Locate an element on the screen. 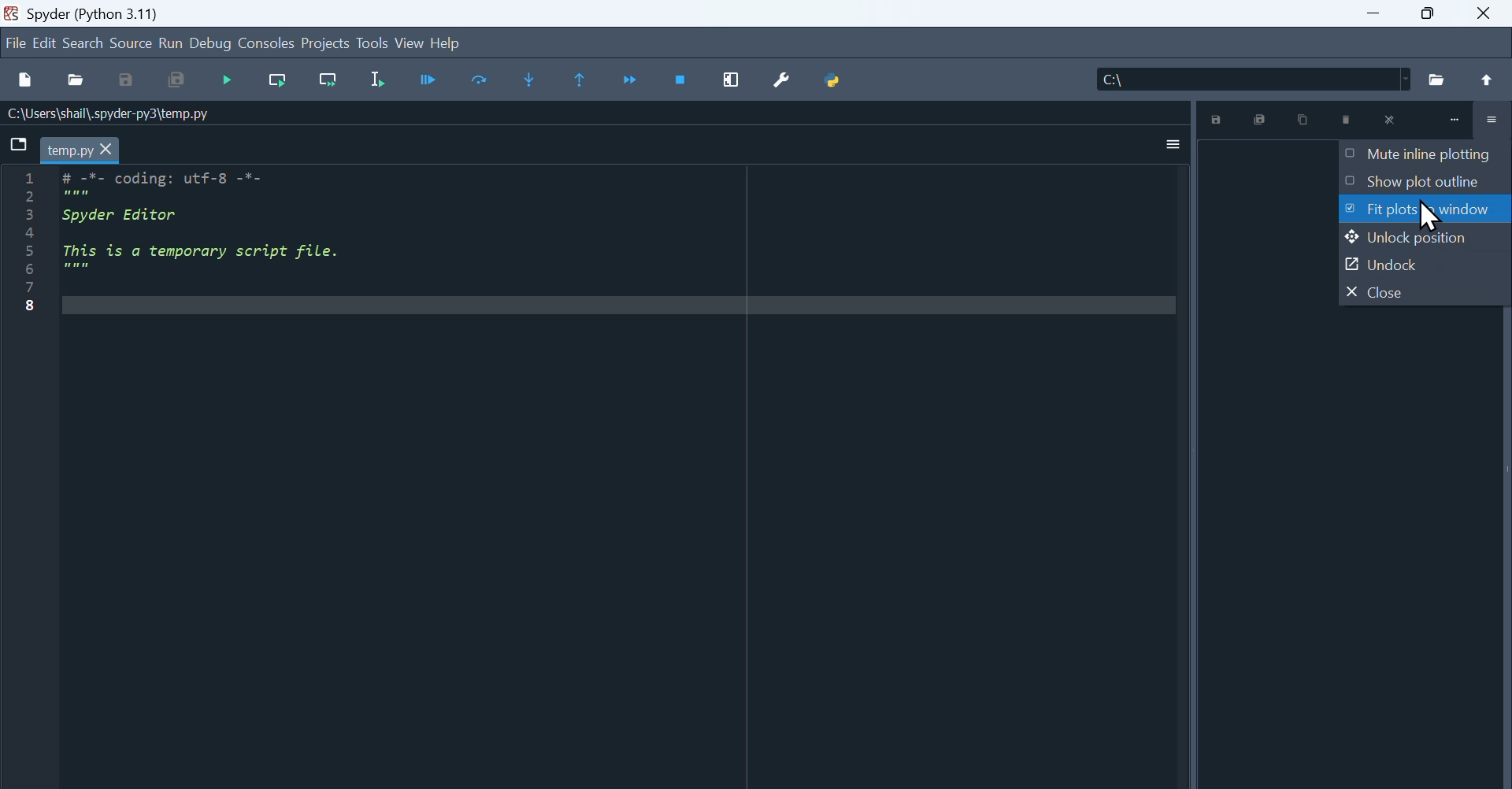 This screenshot has height=789, width=1512. Close is located at coordinates (1420, 292).